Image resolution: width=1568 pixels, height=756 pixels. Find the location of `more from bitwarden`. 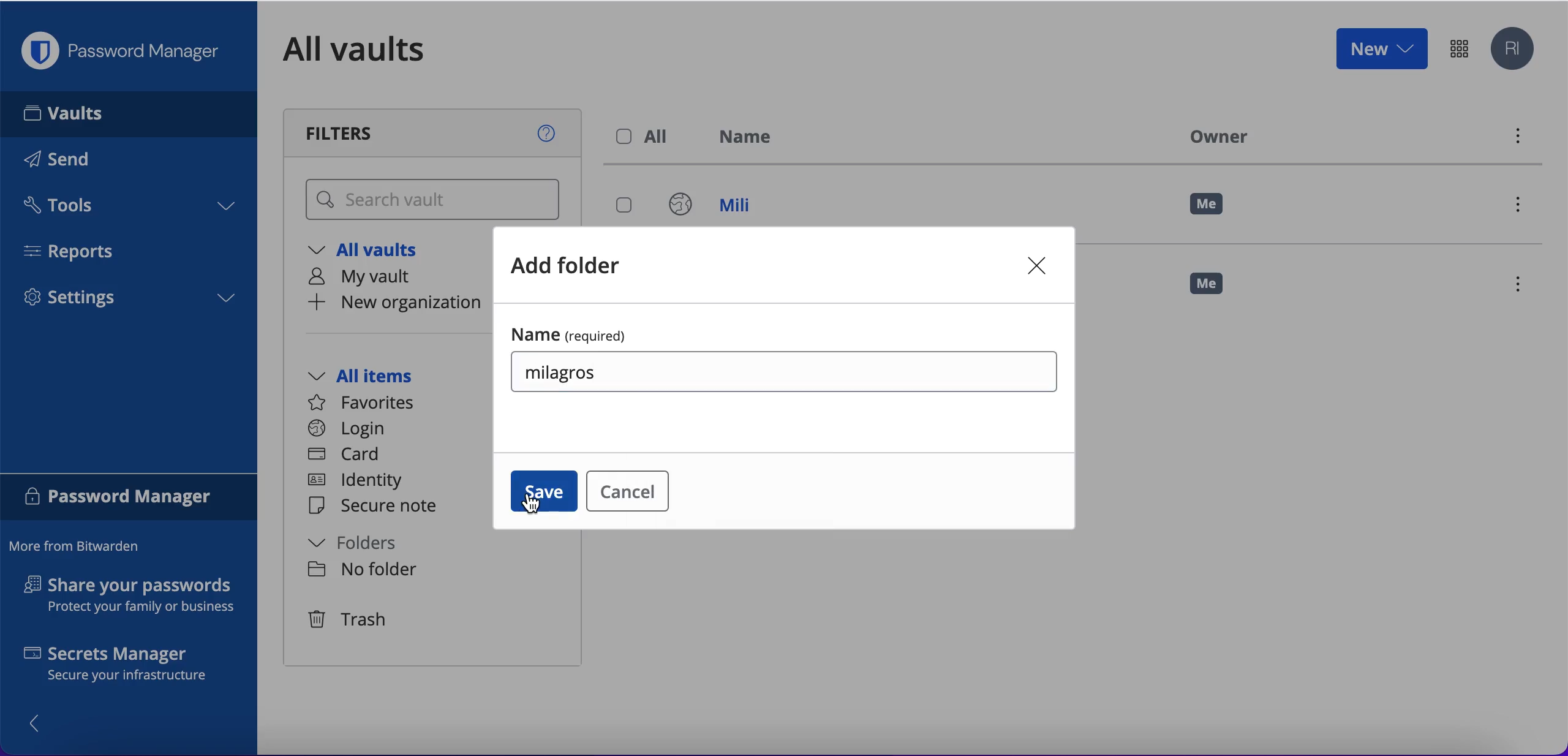

more from bitwarden is located at coordinates (80, 547).